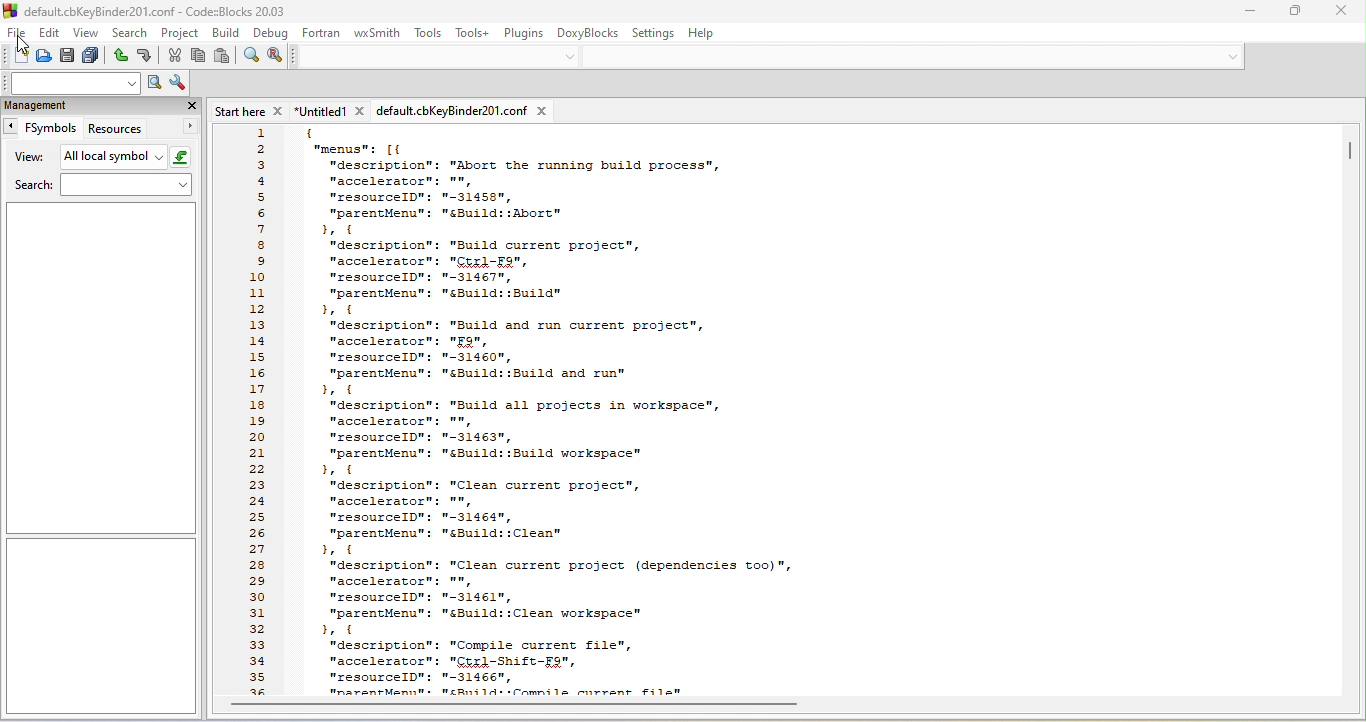 This screenshot has height=722, width=1366. Describe the element at coordinates (181, 32) in the screenshot. I see `project` at that location.